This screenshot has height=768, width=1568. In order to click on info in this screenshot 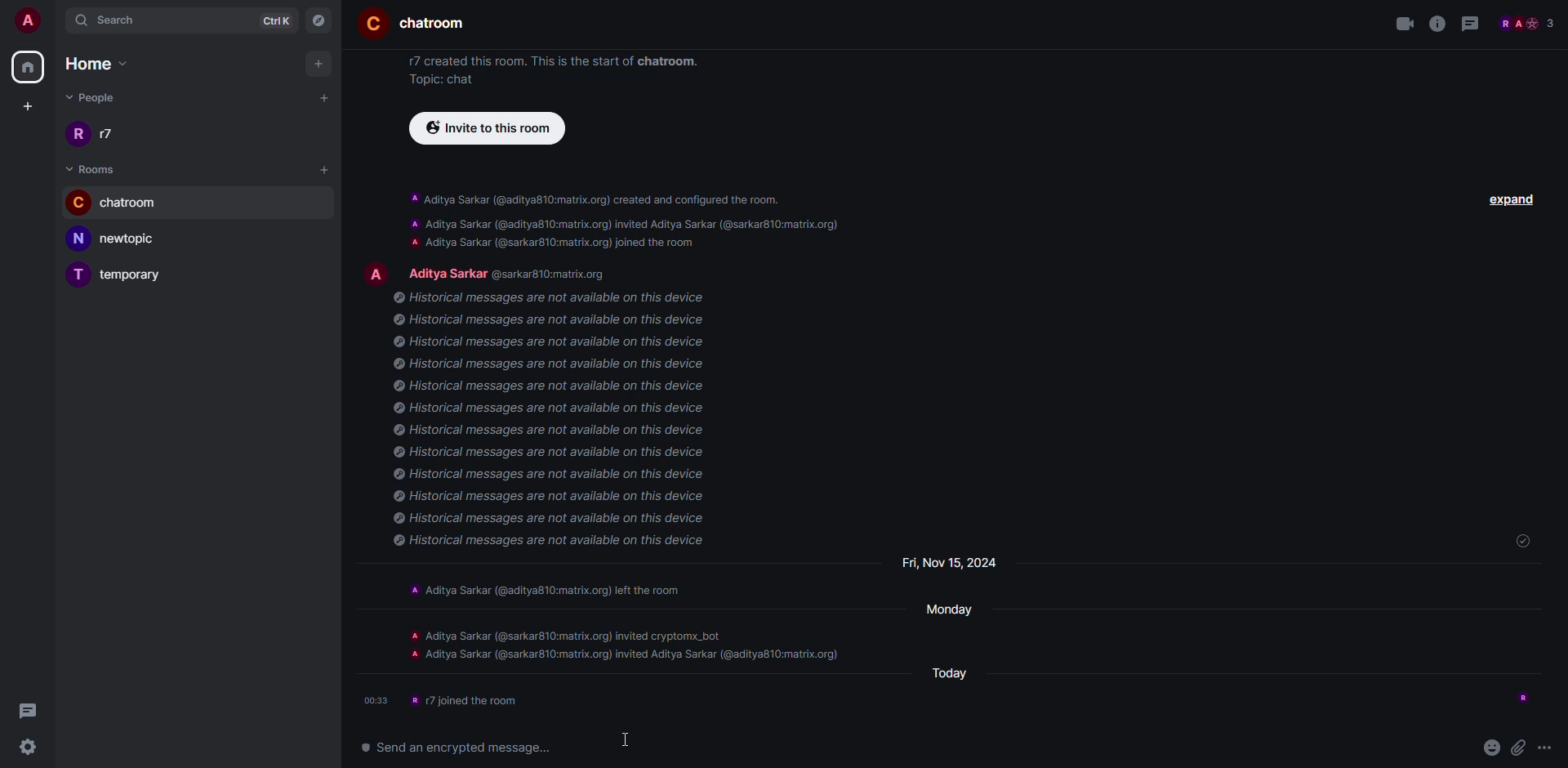, I will do `click(475, 700)`.